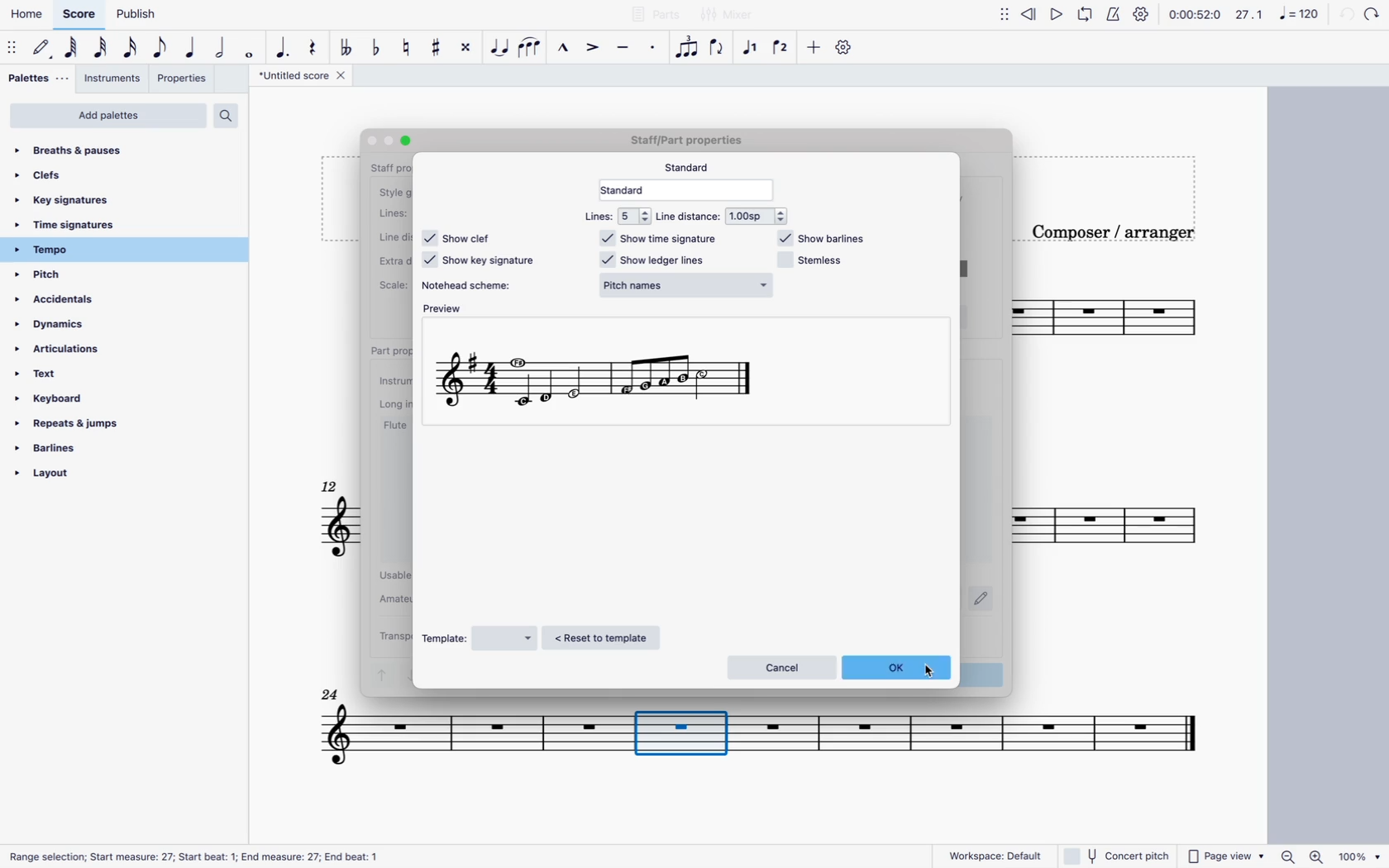 The width and height of the screenshot is (1389, 868). Describe the element at coordinates (332, 486) in the screenshot. I see `12` at that location.